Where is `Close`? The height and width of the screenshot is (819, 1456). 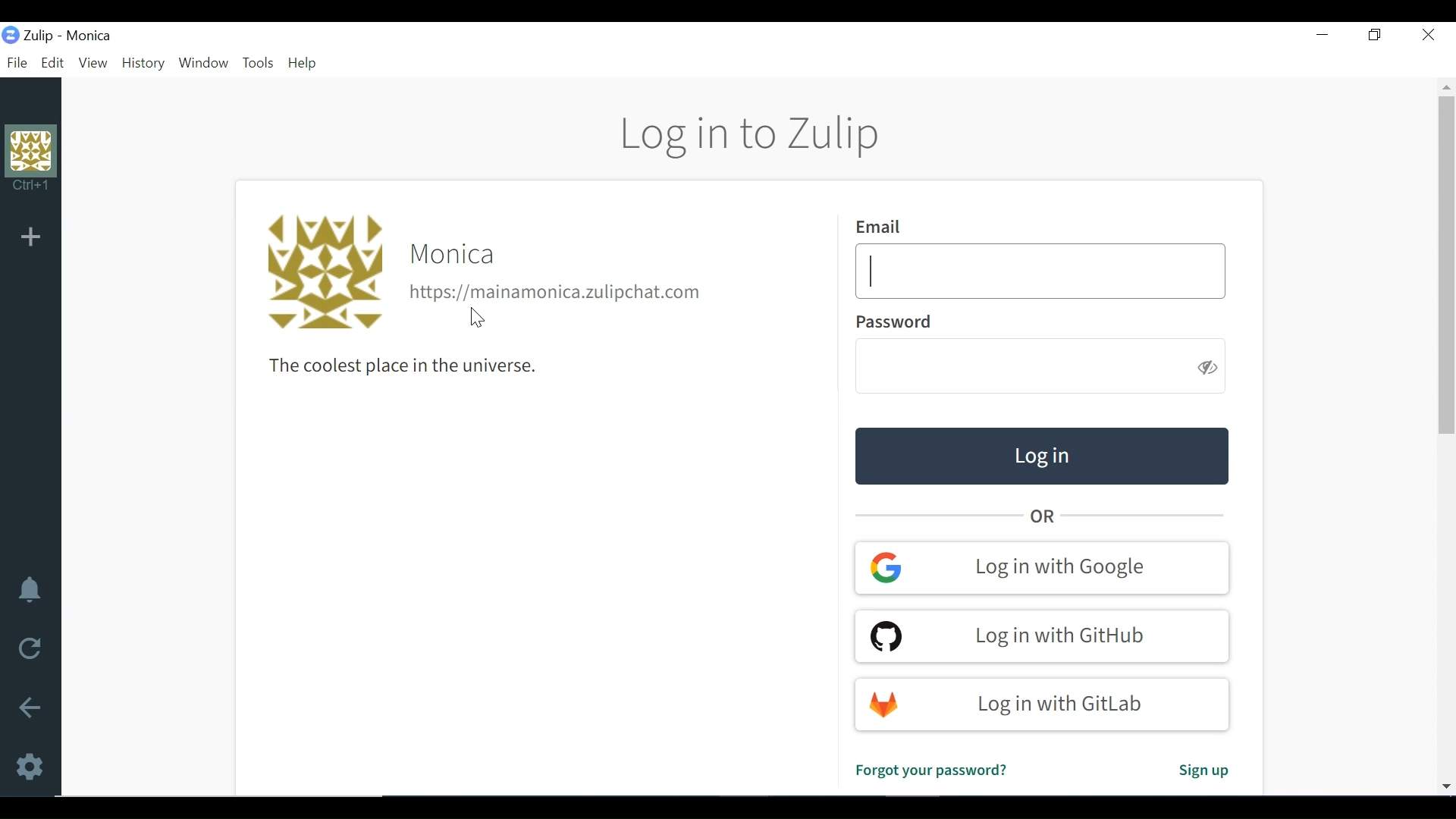
Close is located at coordinates (1426, 33).